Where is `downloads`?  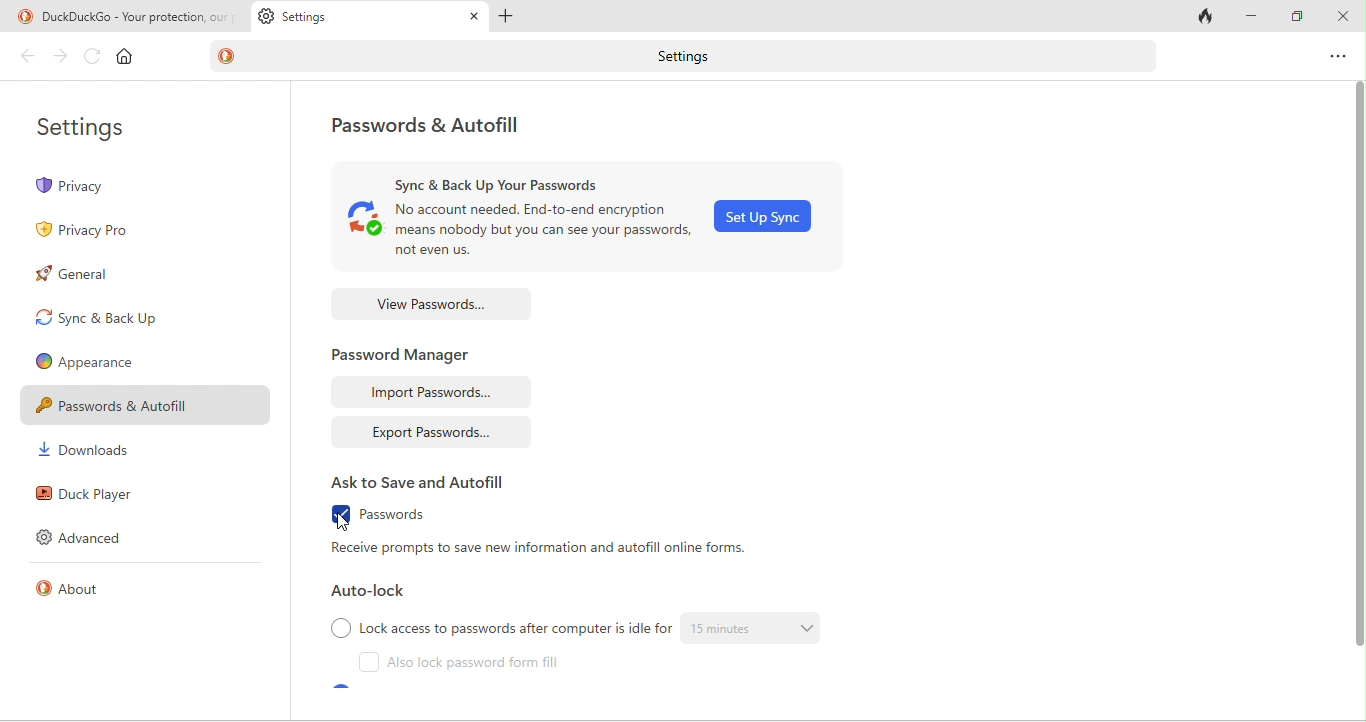 downloads is located at coordinates (94, 454).